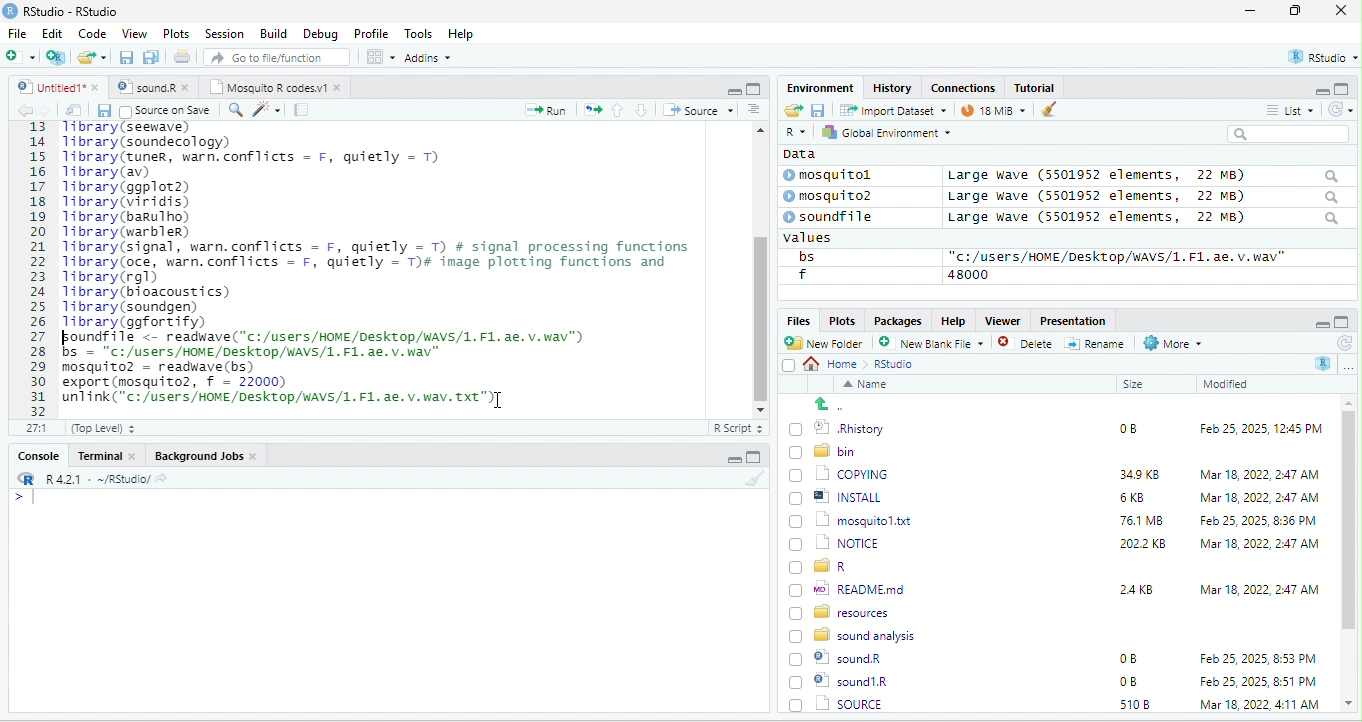 The width and height of the screenshot is (1362, 722). What do you see at coordinates (167, 112) in the screenshot?
I see `source on Save` at bounding box center [167, 112].